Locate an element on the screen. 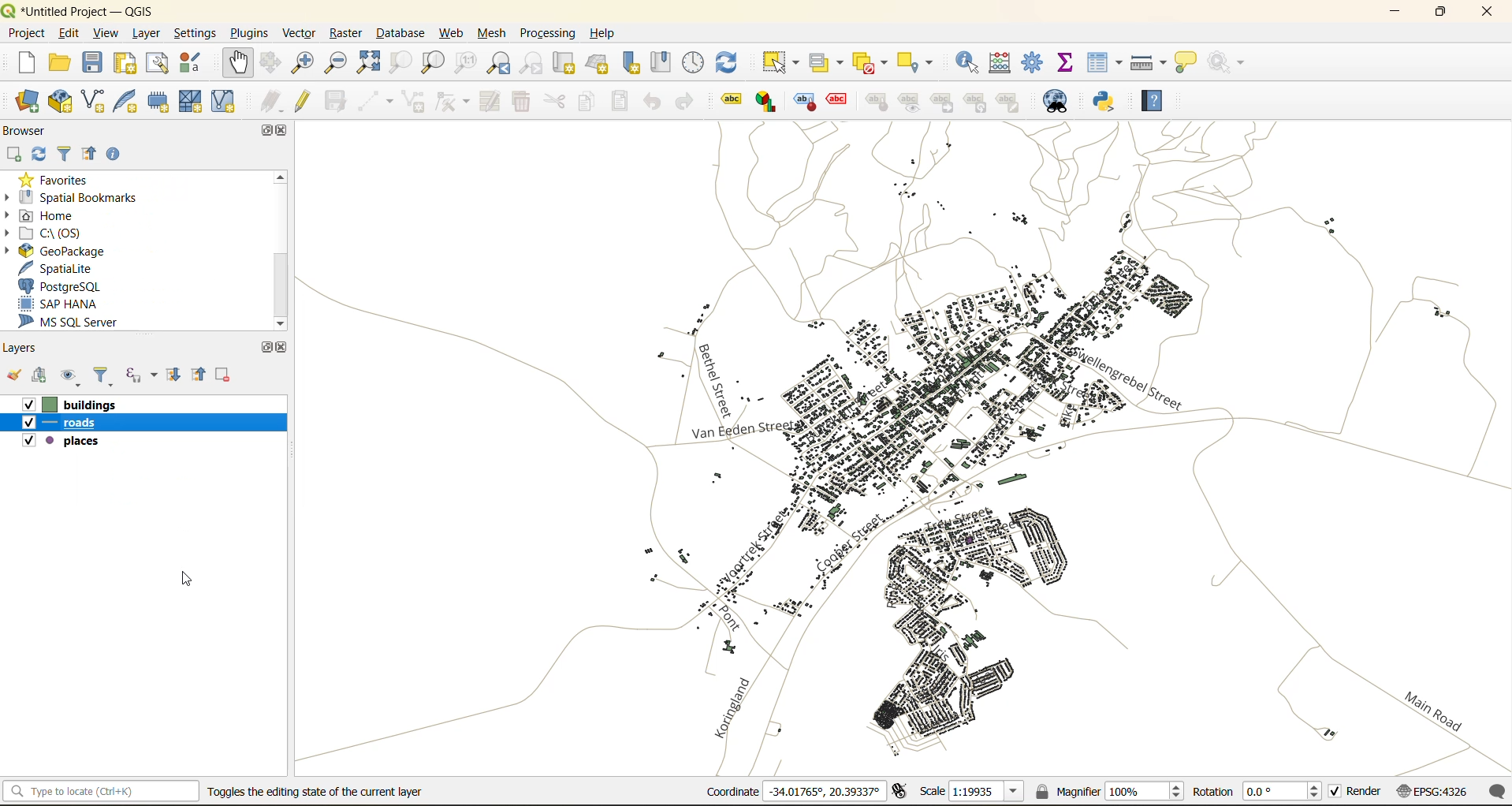 The image size is (1512, 806). cursor is located at coordinates (185, 581).